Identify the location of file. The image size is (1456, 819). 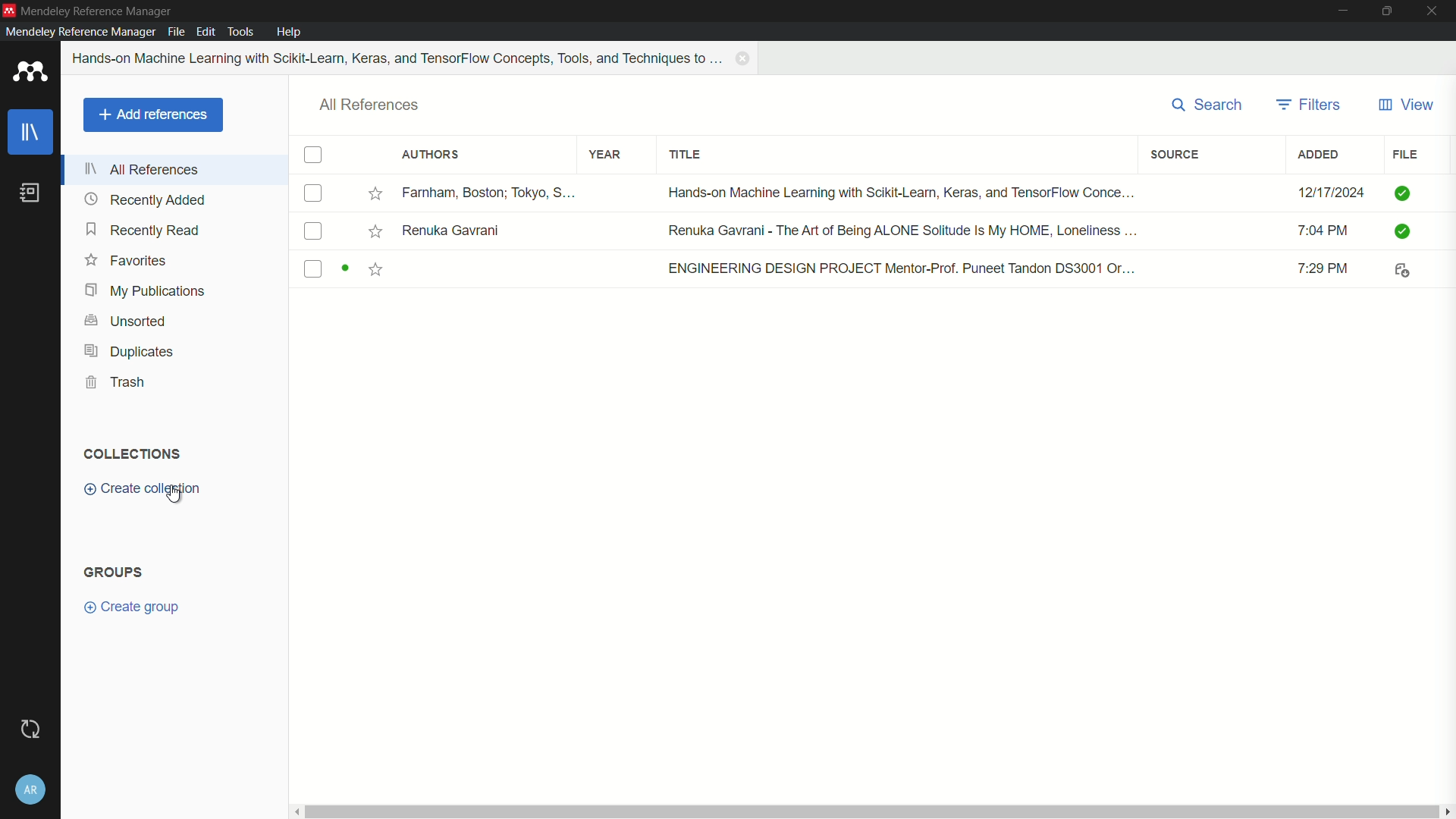
(1404, 155).